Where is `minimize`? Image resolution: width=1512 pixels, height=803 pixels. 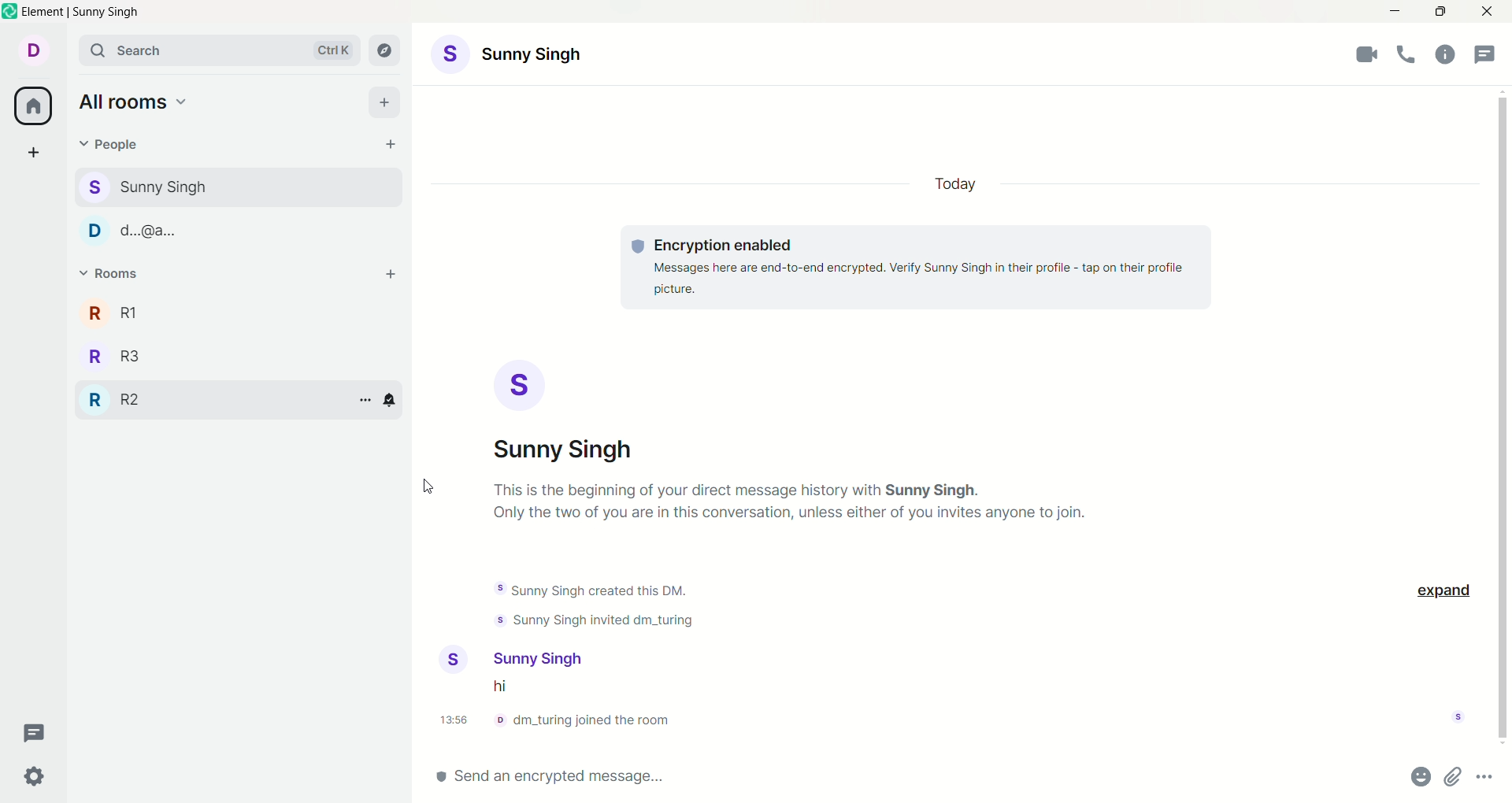
minimize is located at coordinates (1392, 13).